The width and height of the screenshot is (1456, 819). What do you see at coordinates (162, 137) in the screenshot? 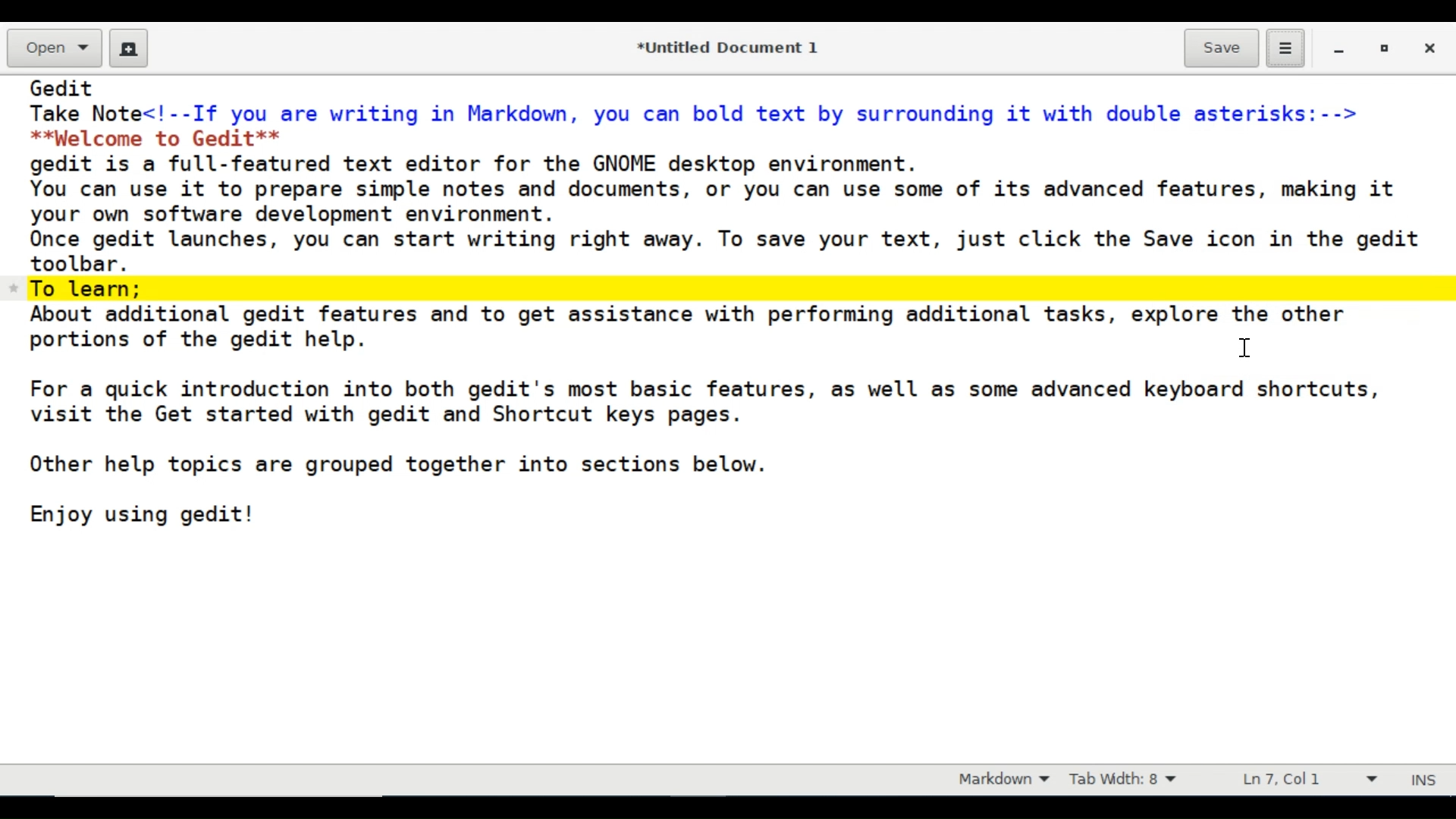
I see `**palcome to Gedit**` at bounding box center [162, 137].